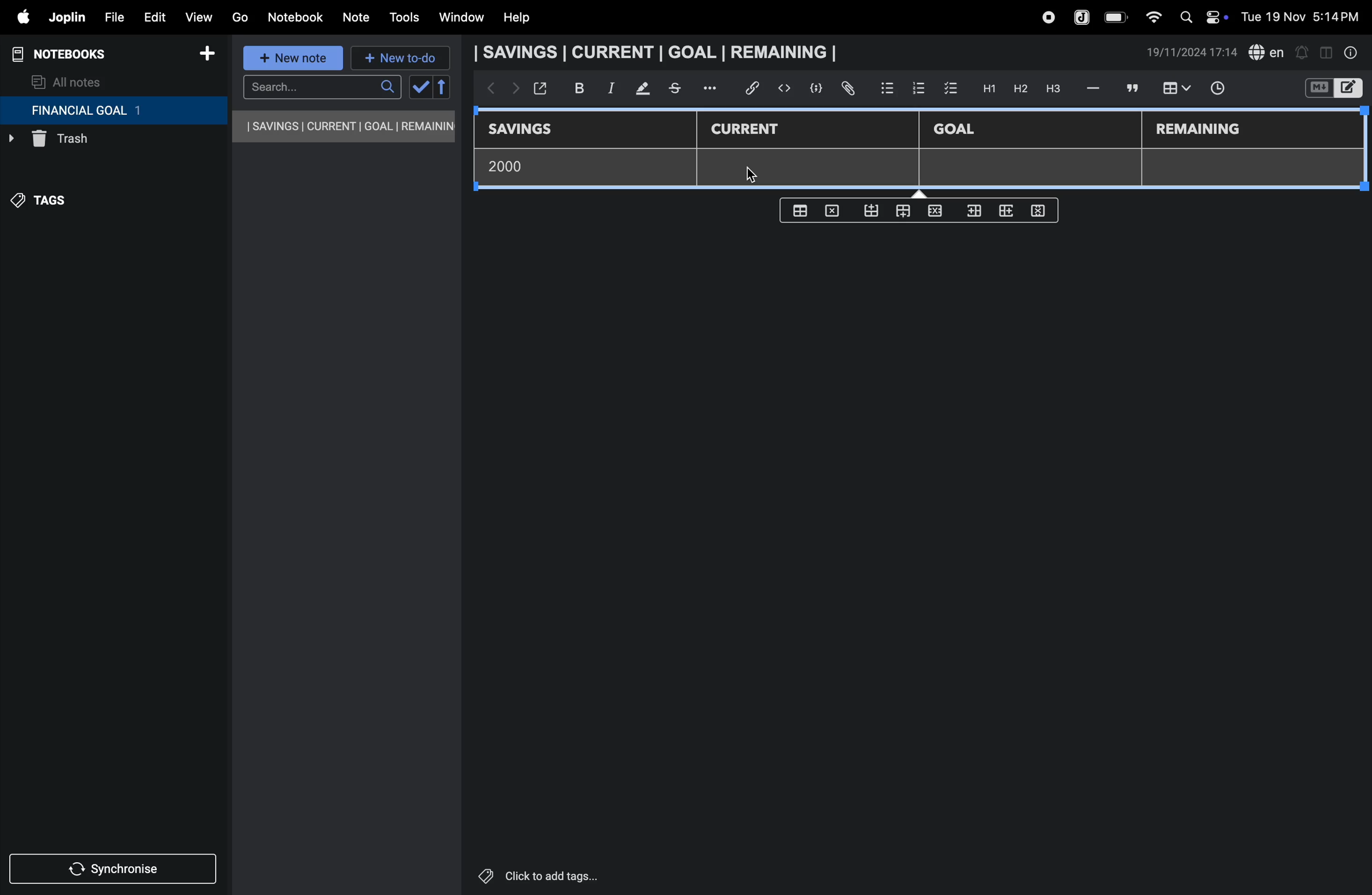 The width and height of the screenshot is (1372, 895). I want to click on insert table, so click(1174, 89).